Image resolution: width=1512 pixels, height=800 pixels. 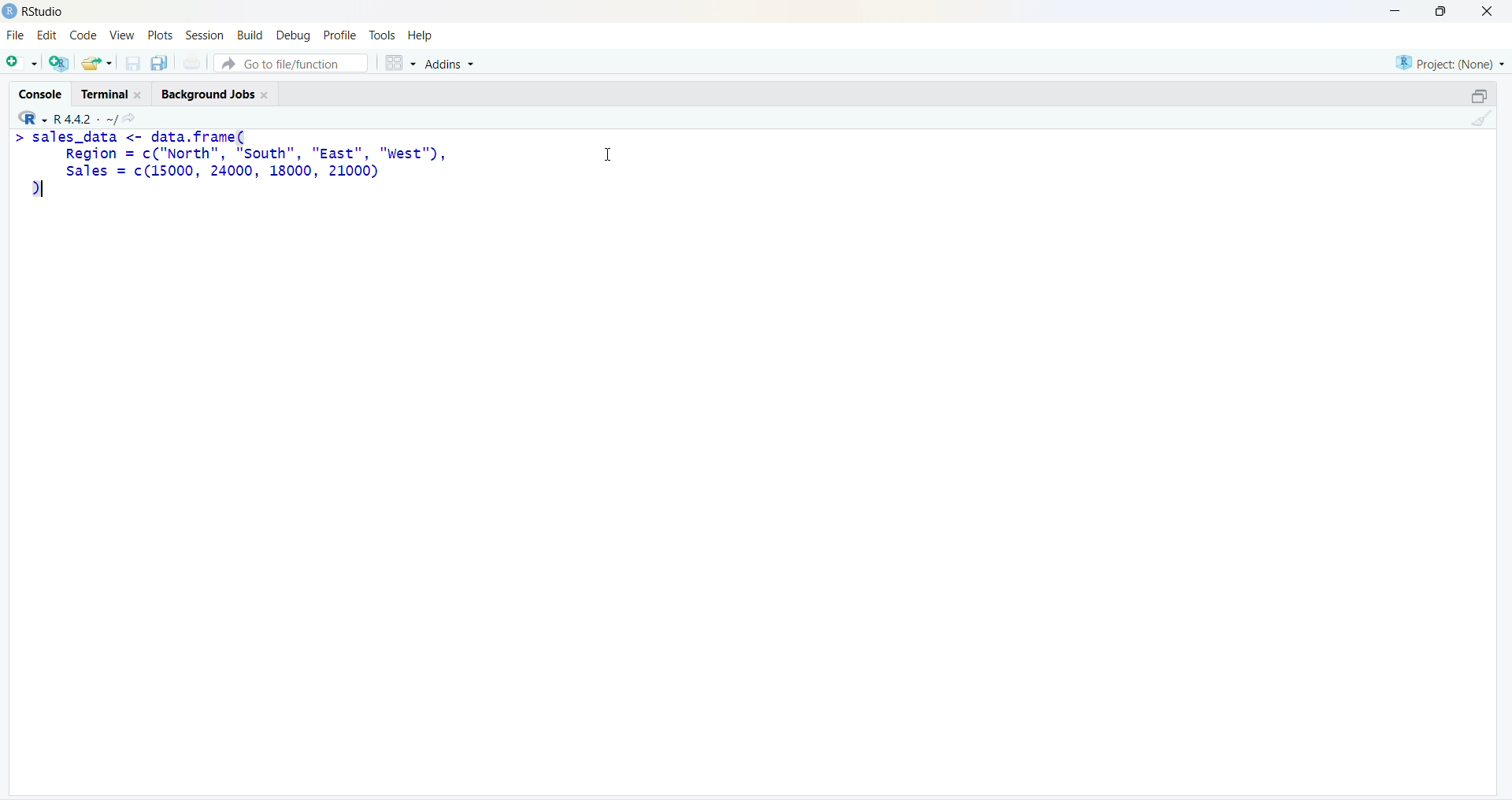 What do you see at coordinates (340, 36) in the screenshot?
I see `Profile` at bounding box center [340, 36].